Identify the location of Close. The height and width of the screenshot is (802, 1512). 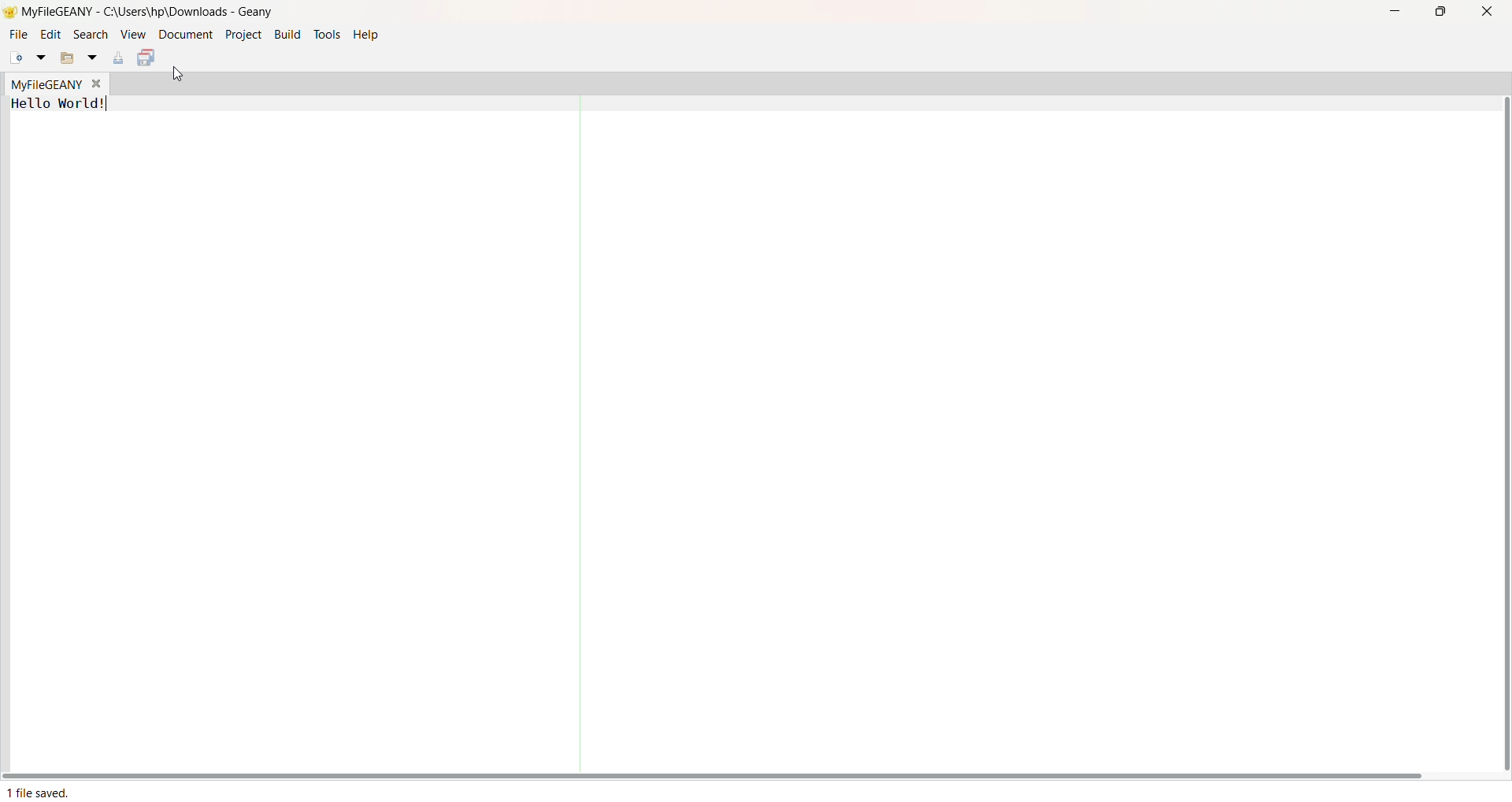
(99, 84).